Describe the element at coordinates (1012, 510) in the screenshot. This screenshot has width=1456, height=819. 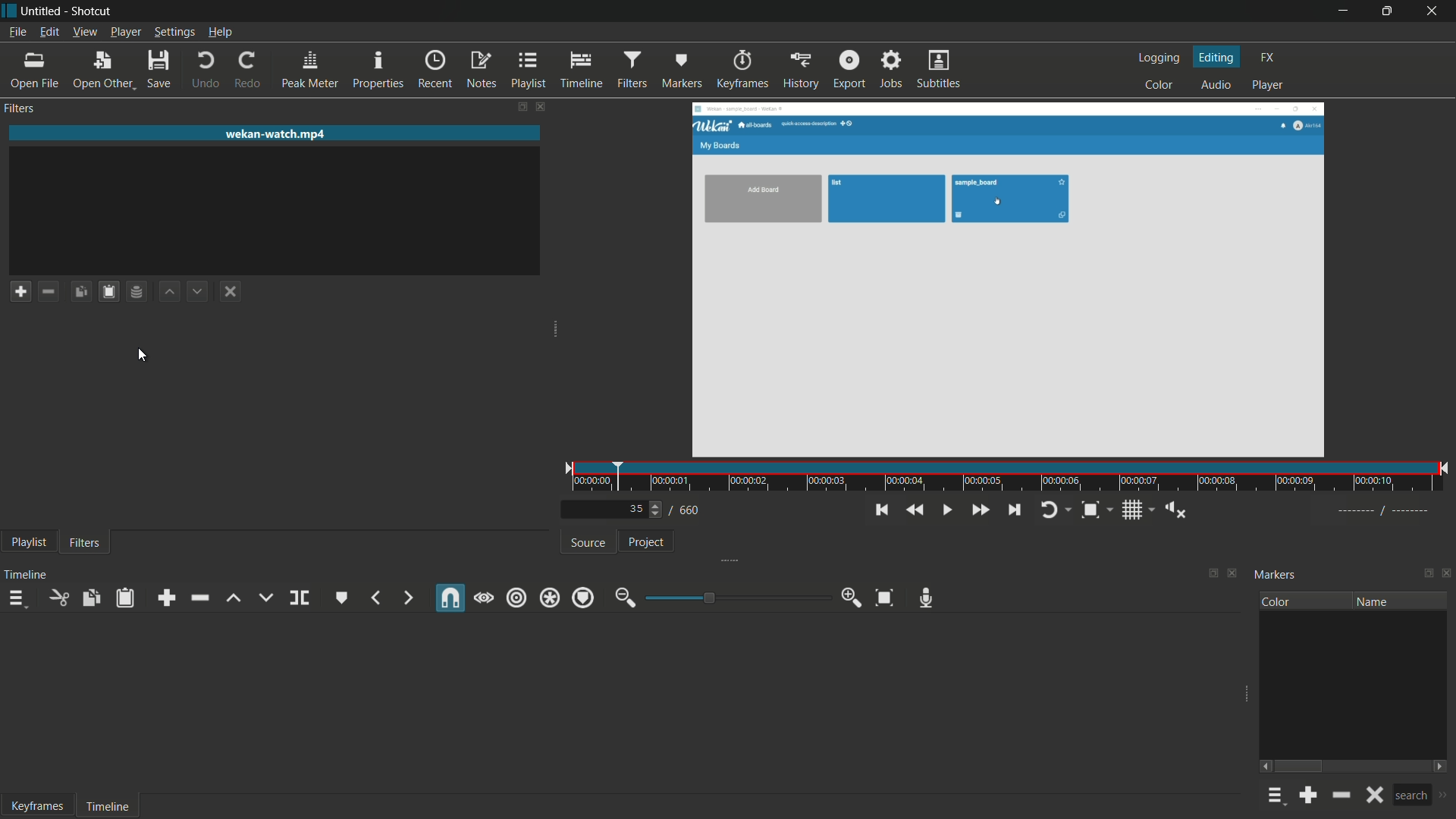
I see `skip to the next point` at that location.